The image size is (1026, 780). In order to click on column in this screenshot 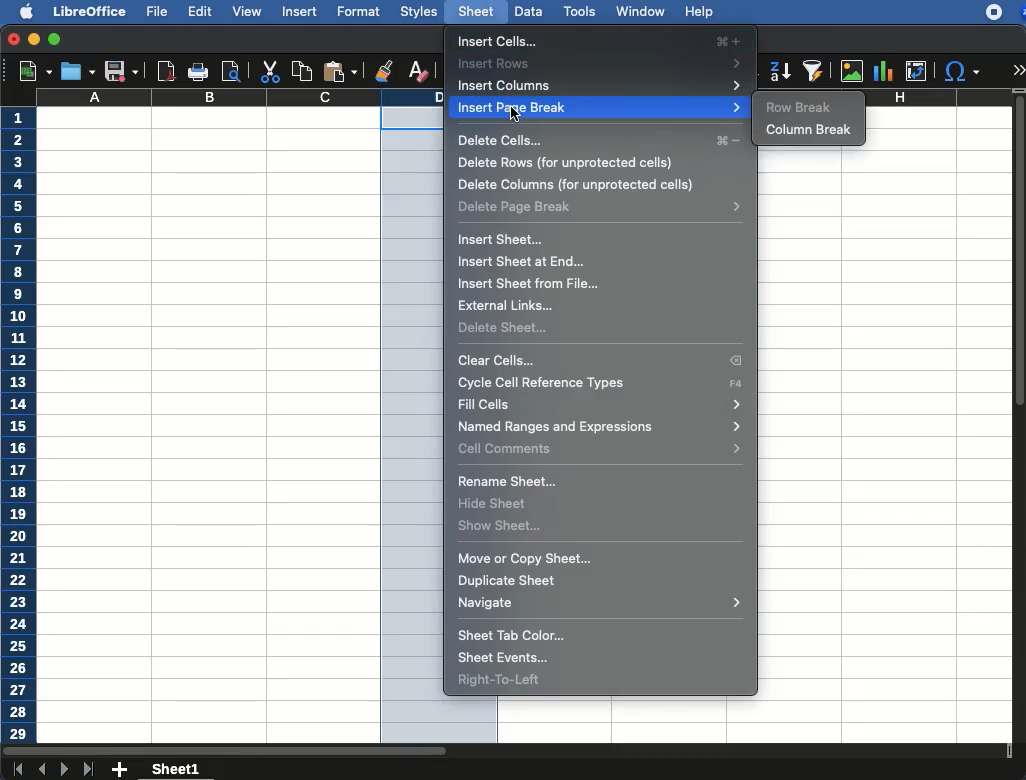, I will do `click(240, 98)`.